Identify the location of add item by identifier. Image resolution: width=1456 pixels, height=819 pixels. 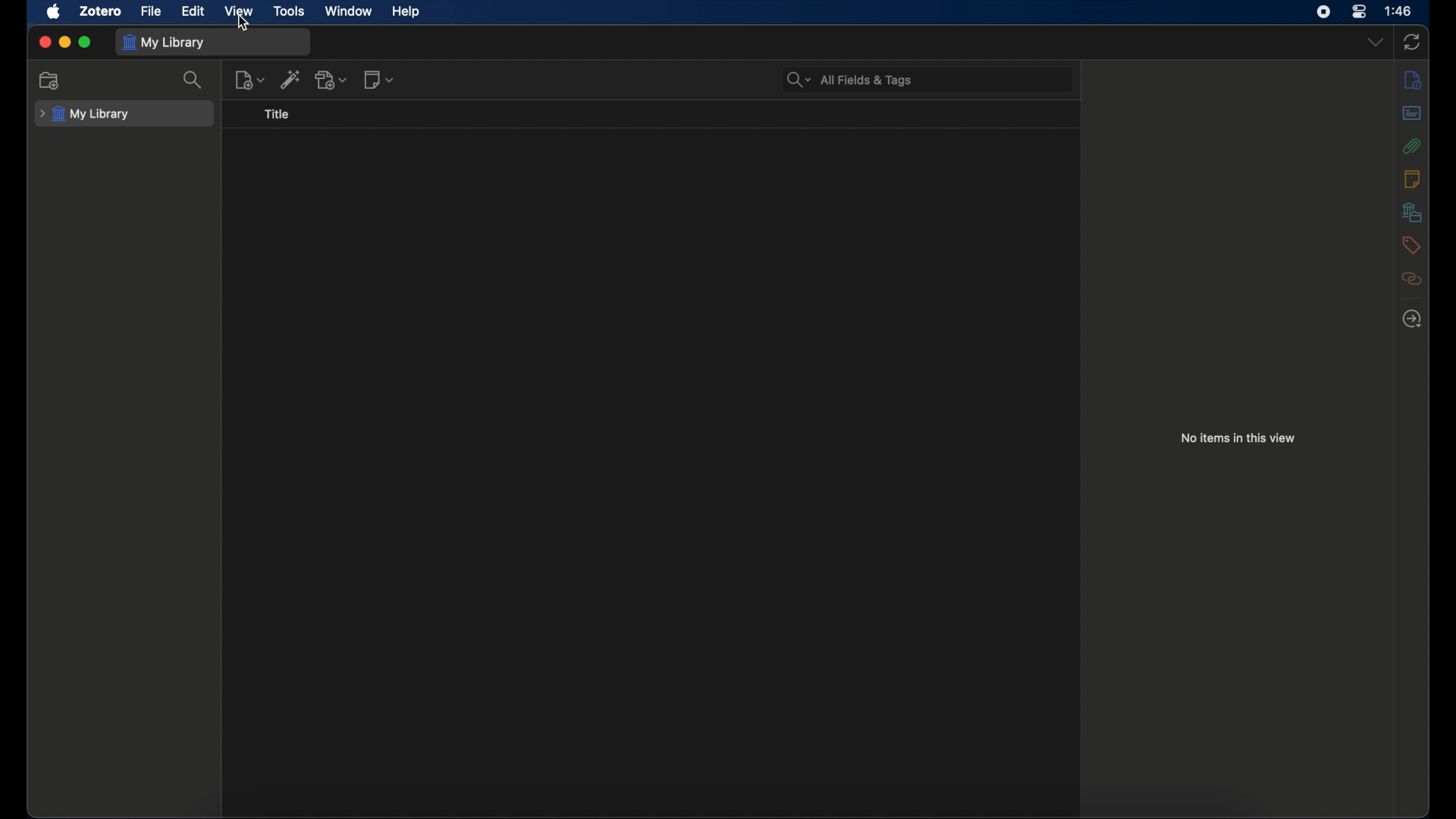
(291, 79).